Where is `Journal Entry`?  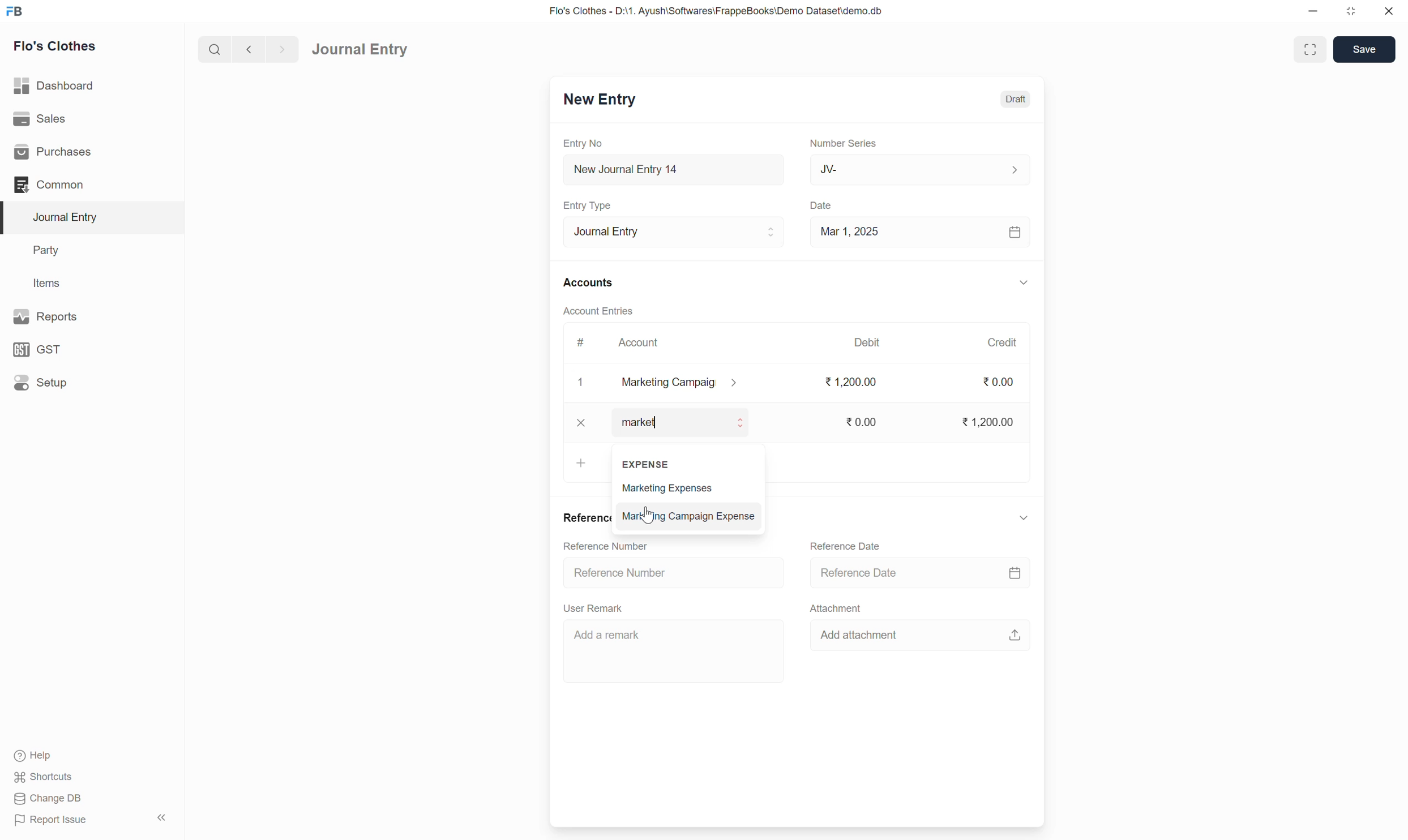 Journal Entry is located at coordinates (674, 231).